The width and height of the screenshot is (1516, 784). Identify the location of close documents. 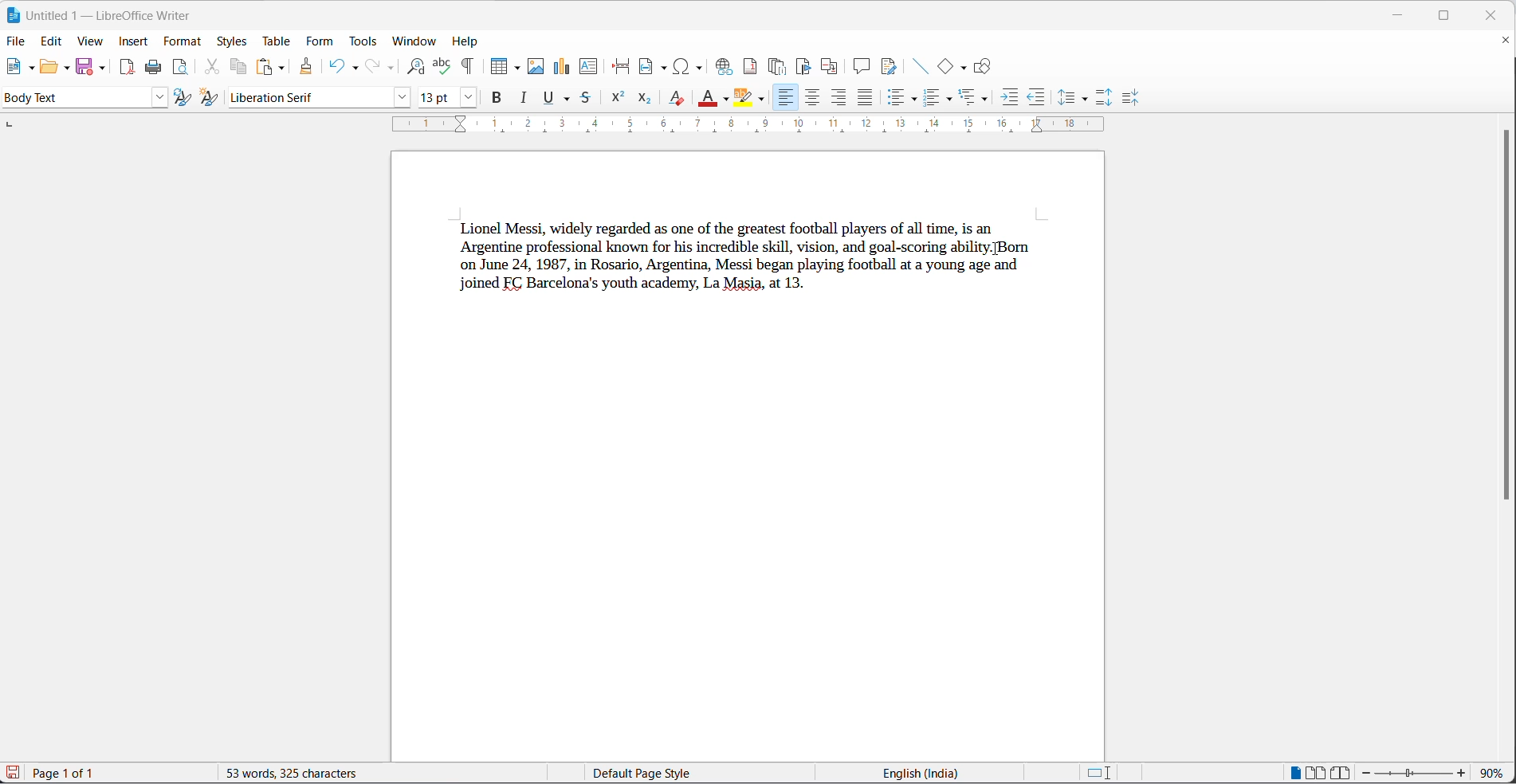
(1506, 40).